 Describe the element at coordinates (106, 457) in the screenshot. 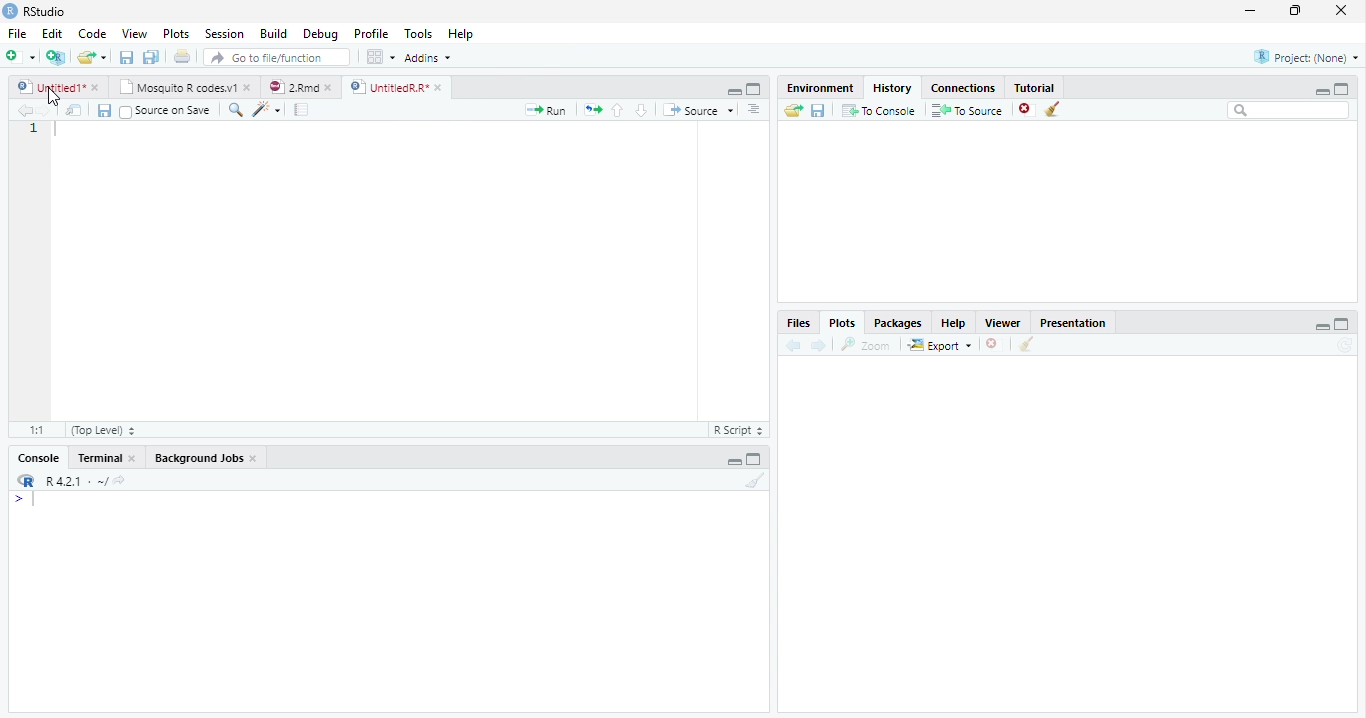

I see `Terminal` at that location.